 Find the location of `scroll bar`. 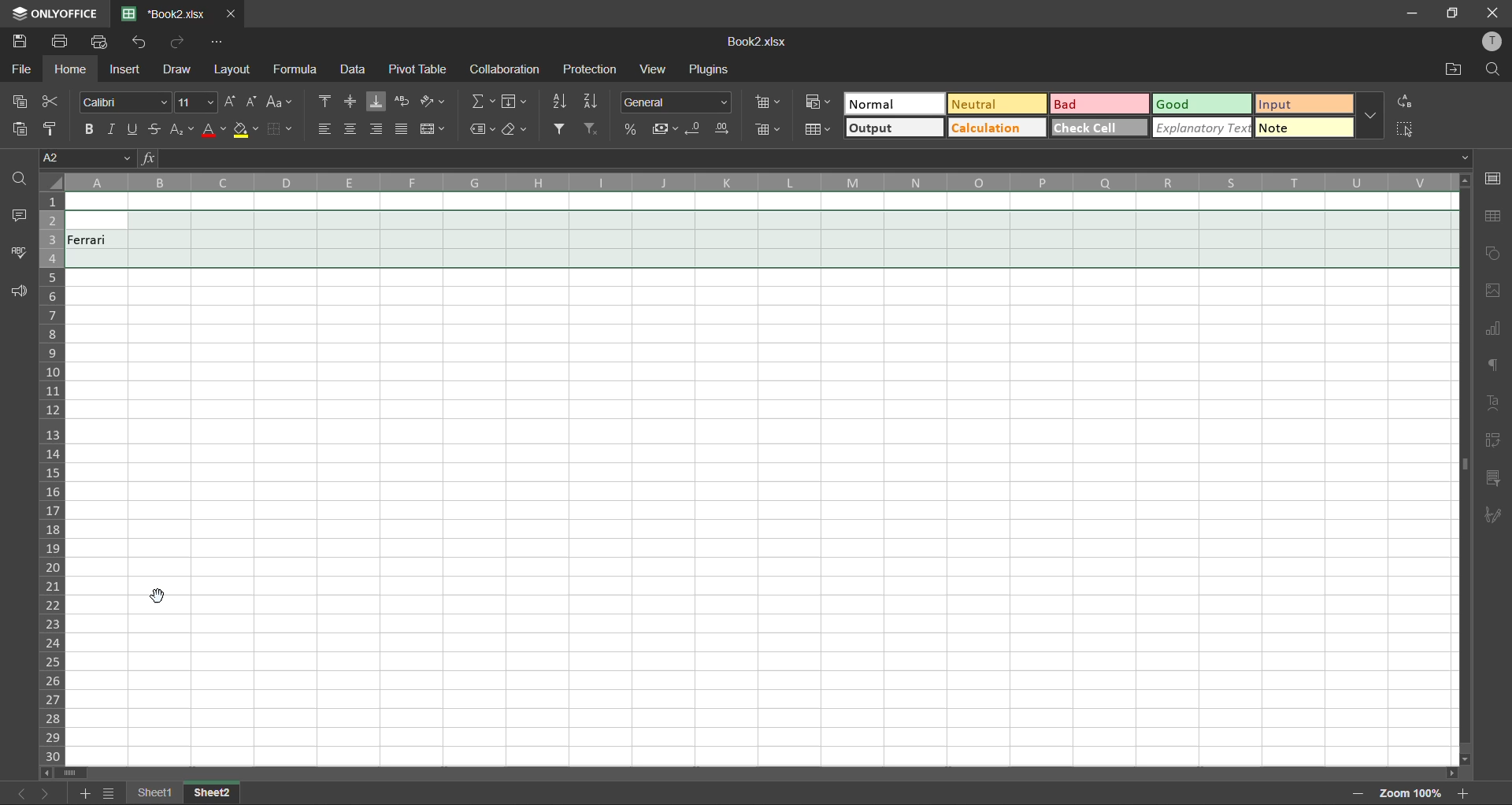

scroll bar is located at coordinates (756, 773).